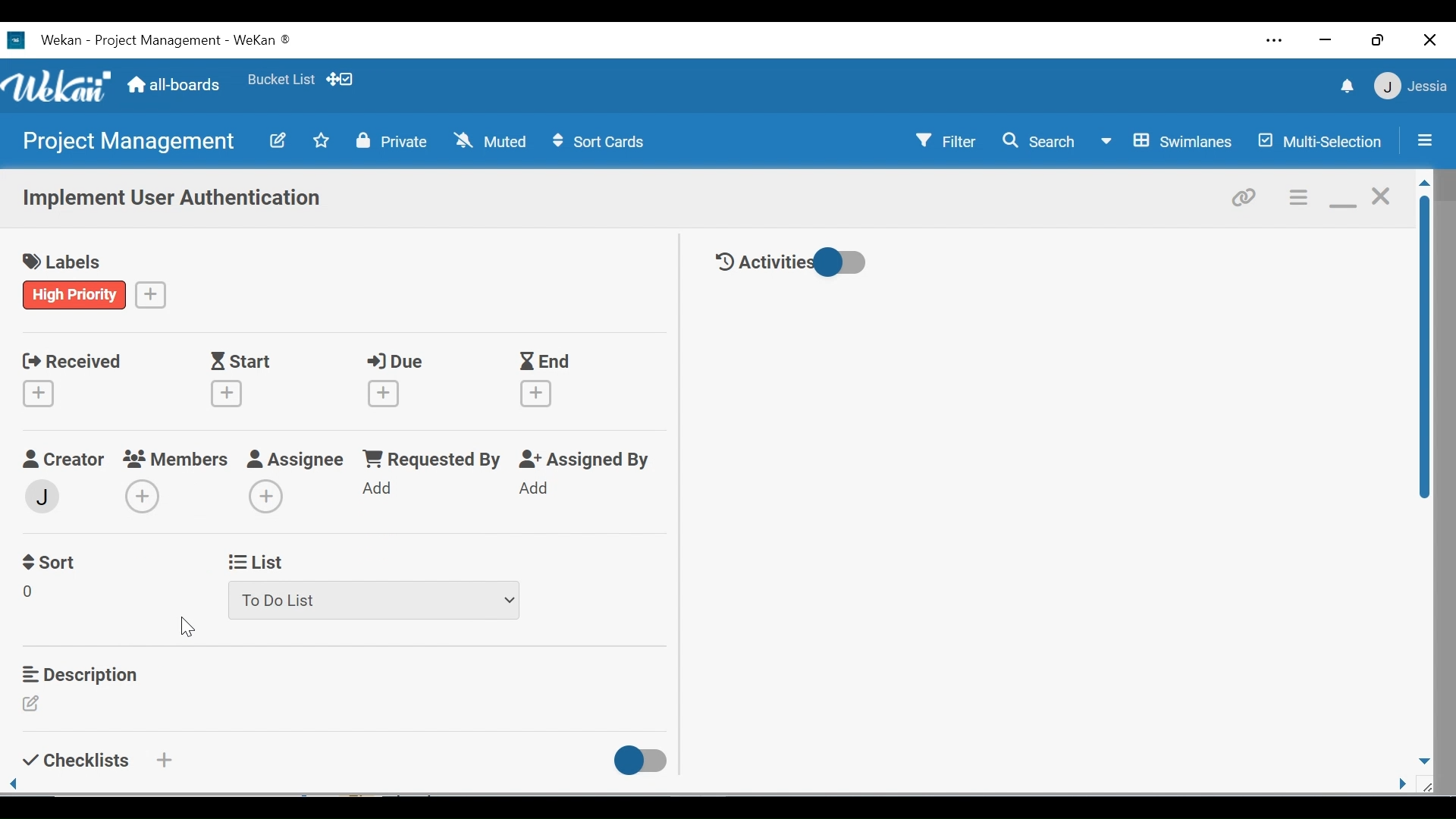 This screenshot has height=819, width=1456. I want to click on admin, so click(46, 495).